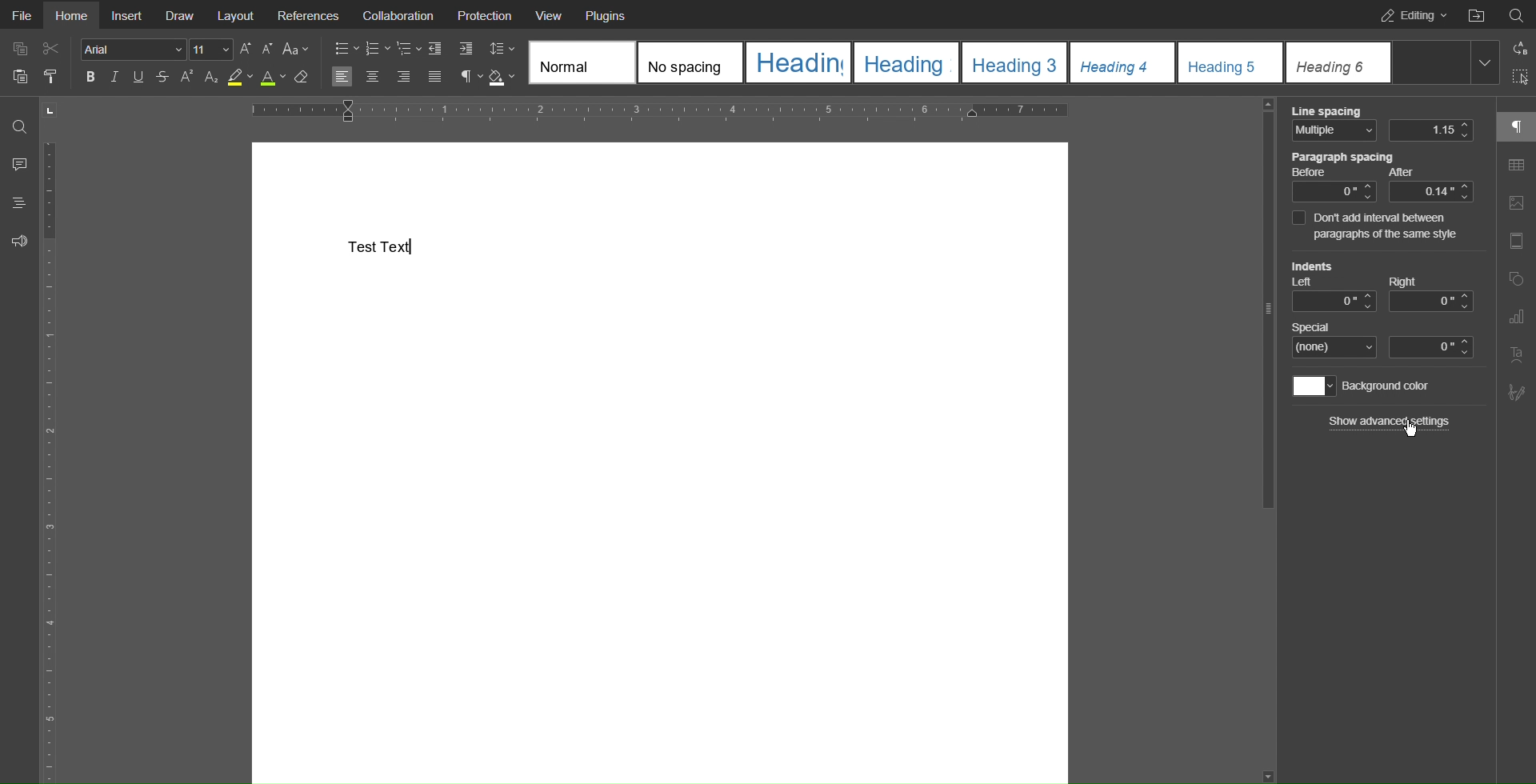 The image size is (1536, 784). Describe the element at coordinates (70, 15) in the screenshot. I see `Home` at that location.